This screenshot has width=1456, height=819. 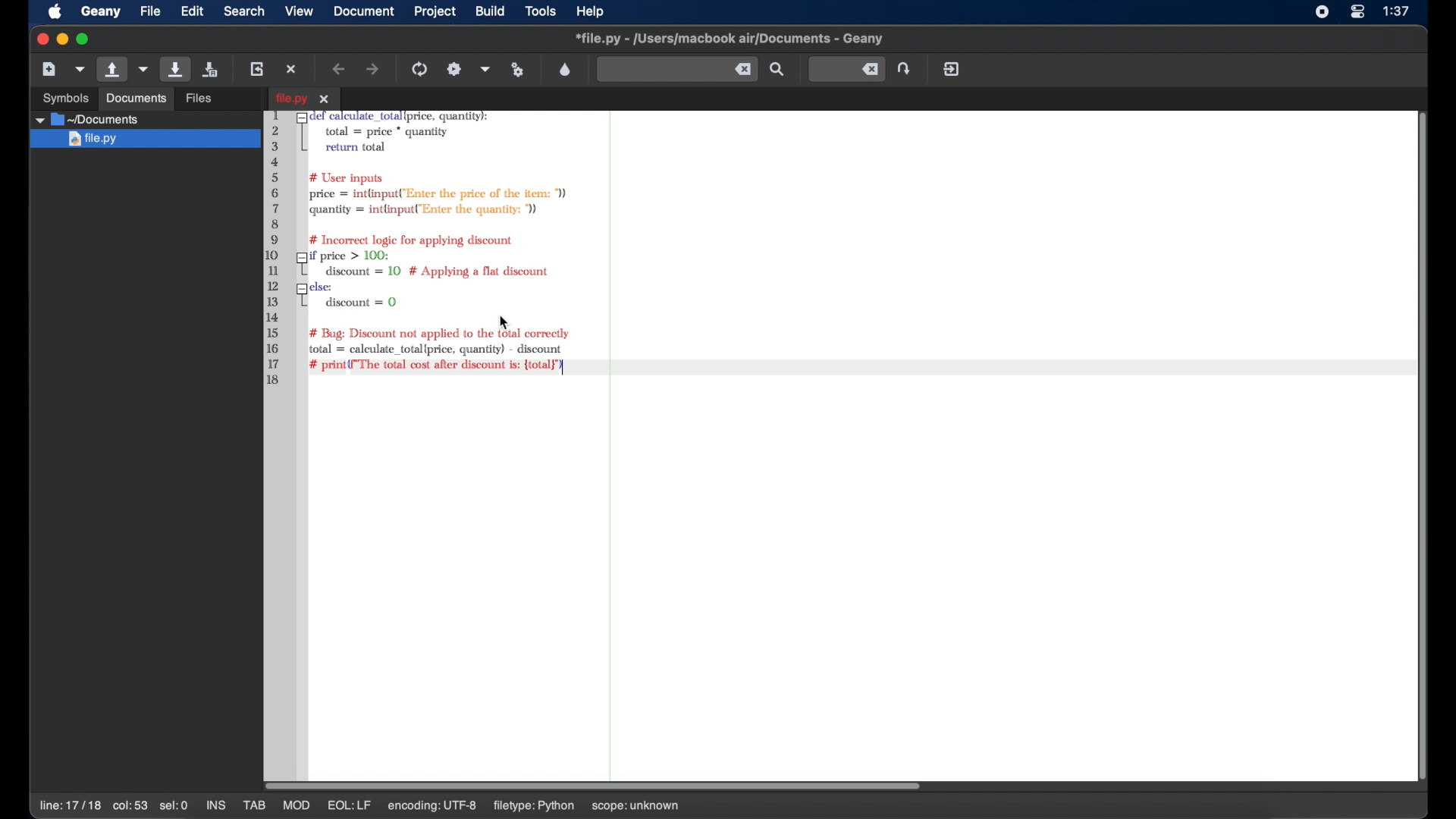 What do you see at coordinates (431, 807) in the screenshot?
I see `encoding: utf-8` at bounding box center [431, 807].